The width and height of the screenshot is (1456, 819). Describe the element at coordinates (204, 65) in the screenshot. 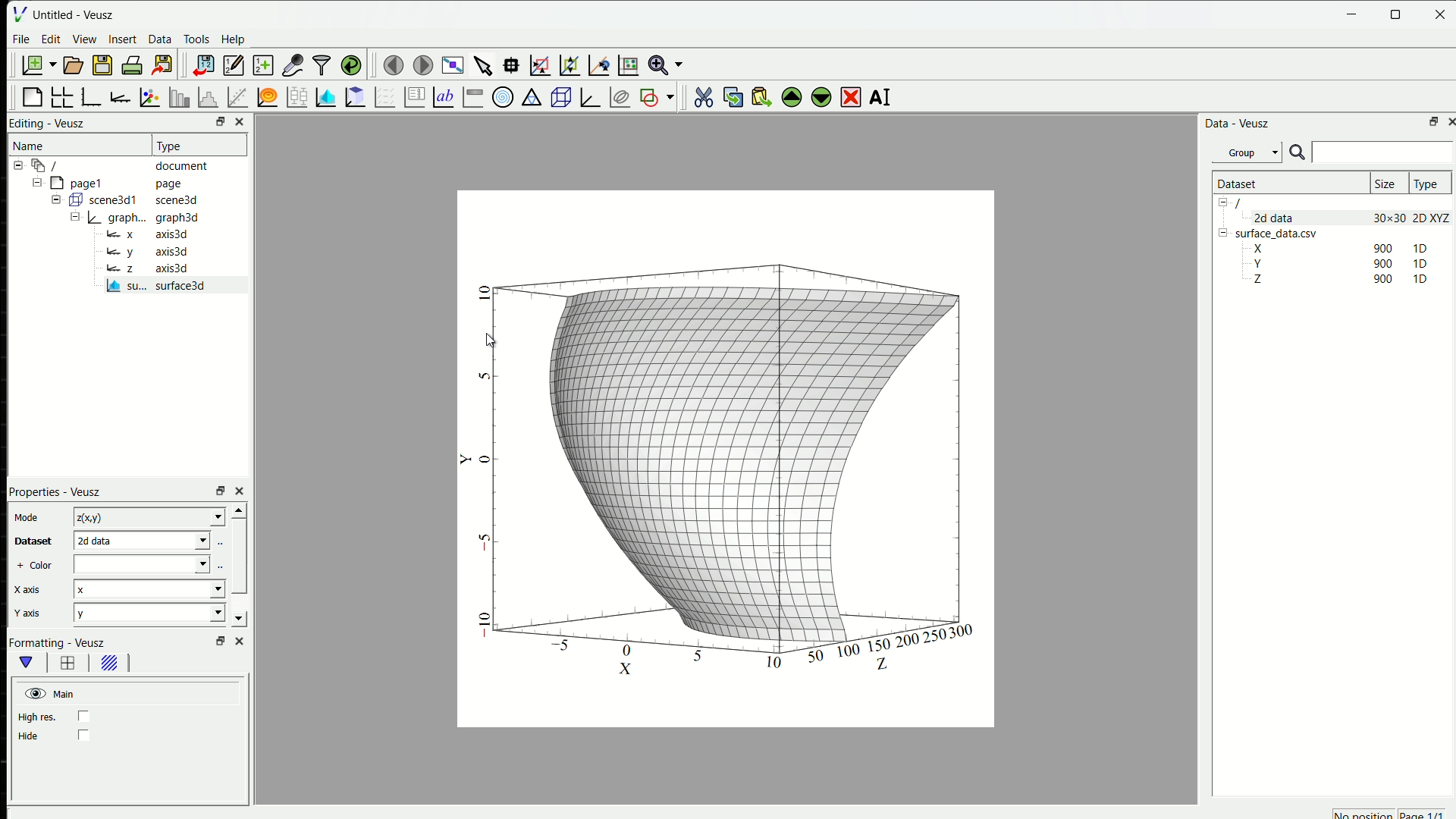

I see `import data` at that location.